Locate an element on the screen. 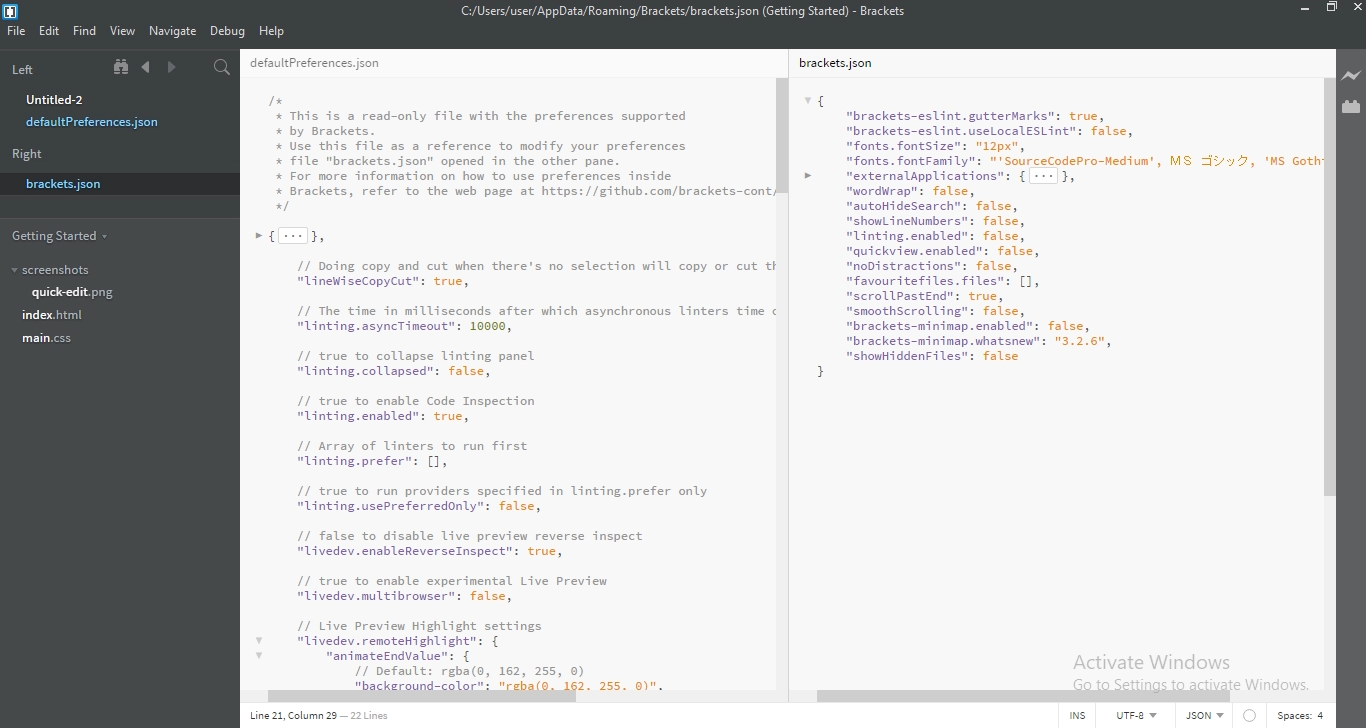  right is located at coordinates (31, 154).